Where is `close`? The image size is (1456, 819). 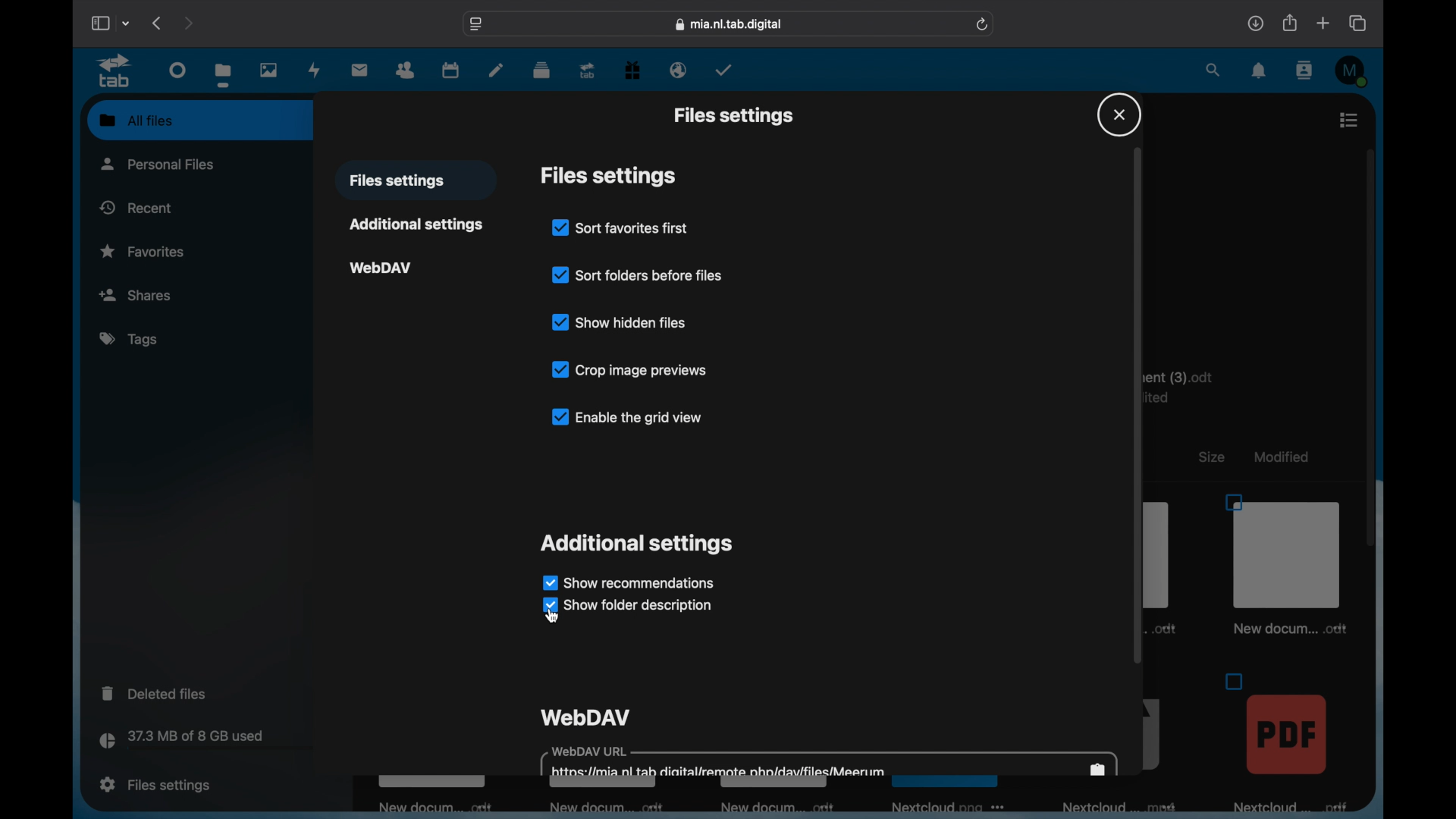 close is located at coordinates (1119, 115).